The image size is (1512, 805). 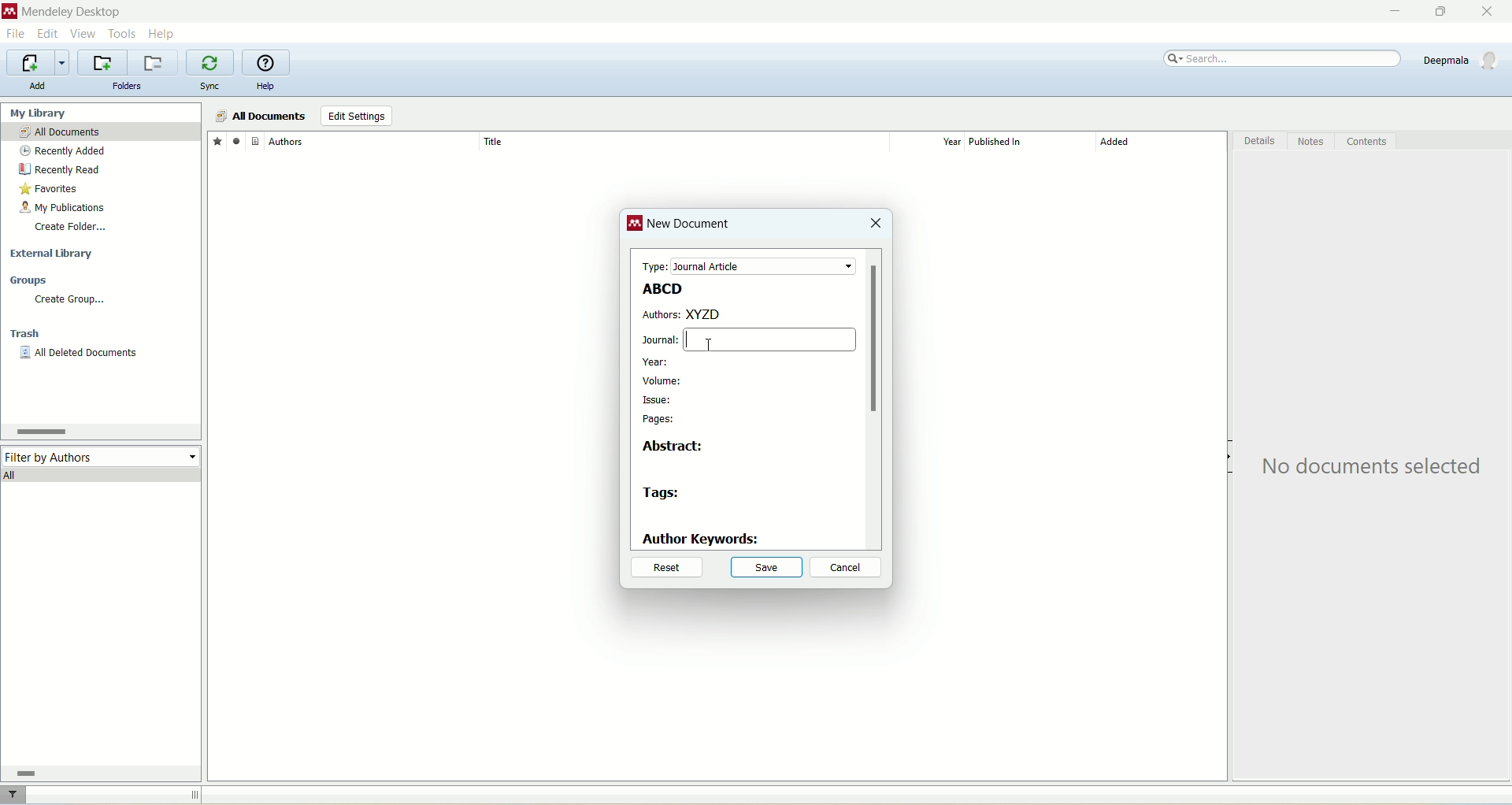 What do you see at coordinates (101, 132) in the screenshot?
I see `all documents` at bounding box center [101, 132].